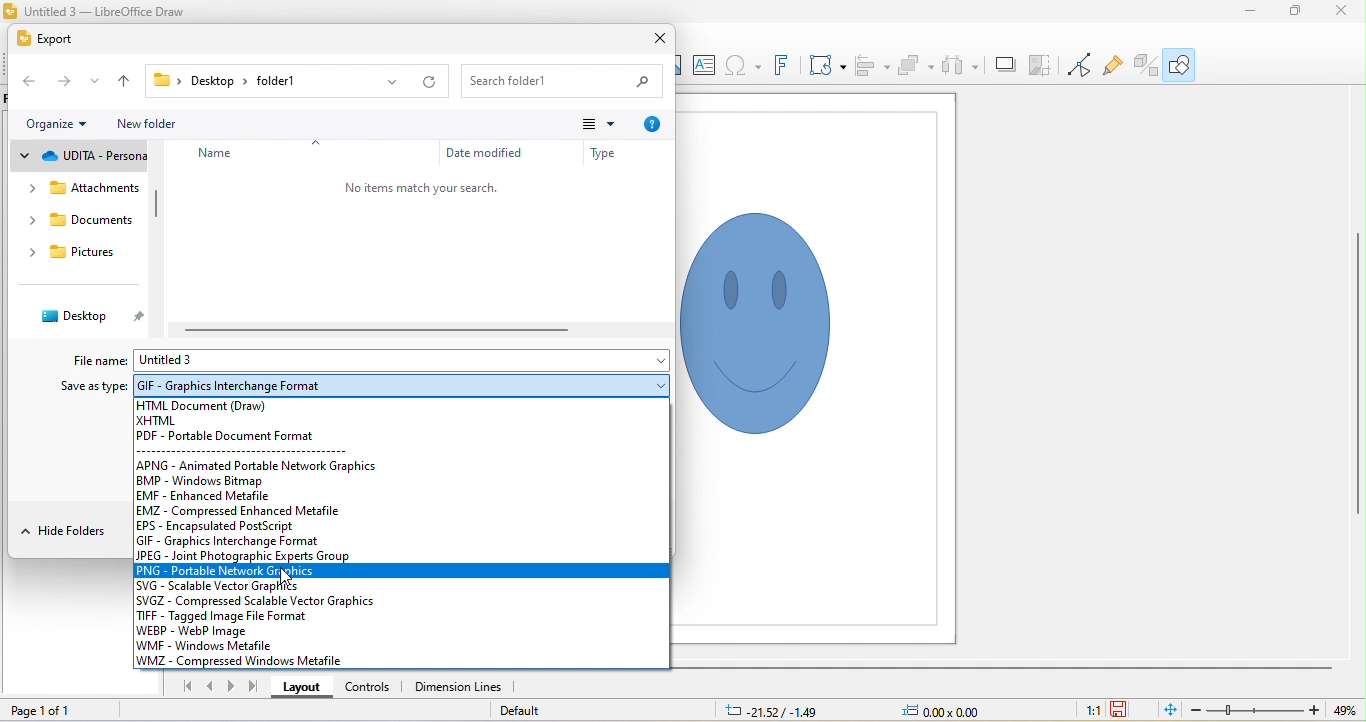 This screenshot has height=722, width=1366. I want to click on first slide, so click(191, 686).